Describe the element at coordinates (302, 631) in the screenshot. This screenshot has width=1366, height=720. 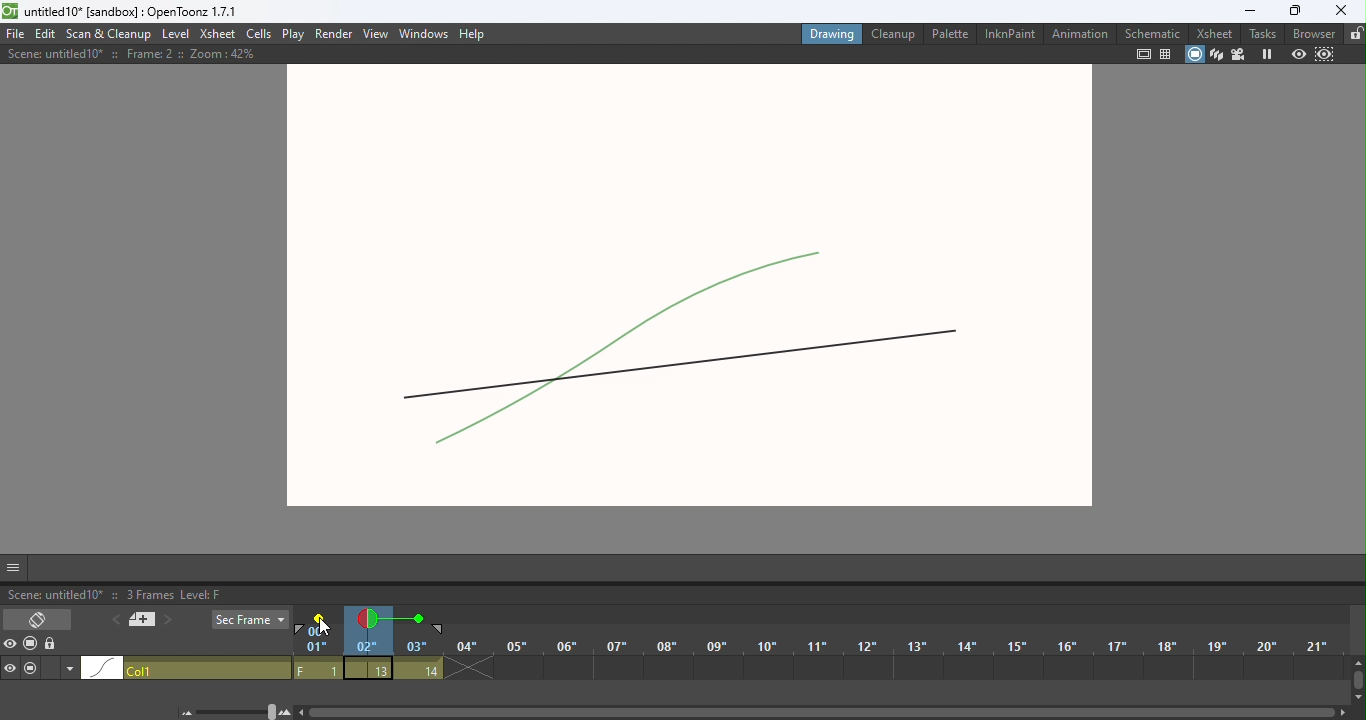
I see `Playback start marker` at that location.